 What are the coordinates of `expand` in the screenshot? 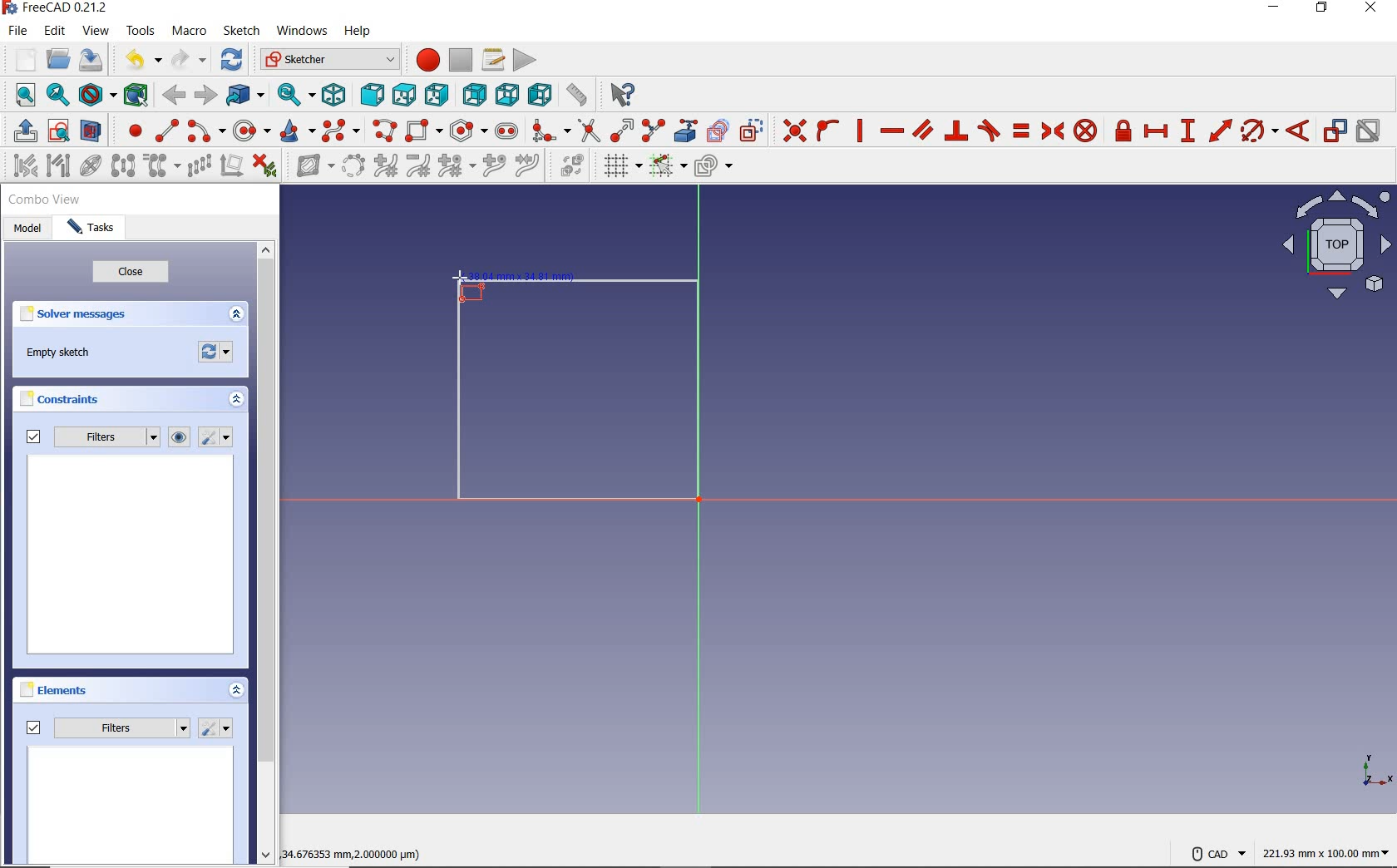 It's located at (235, 689).